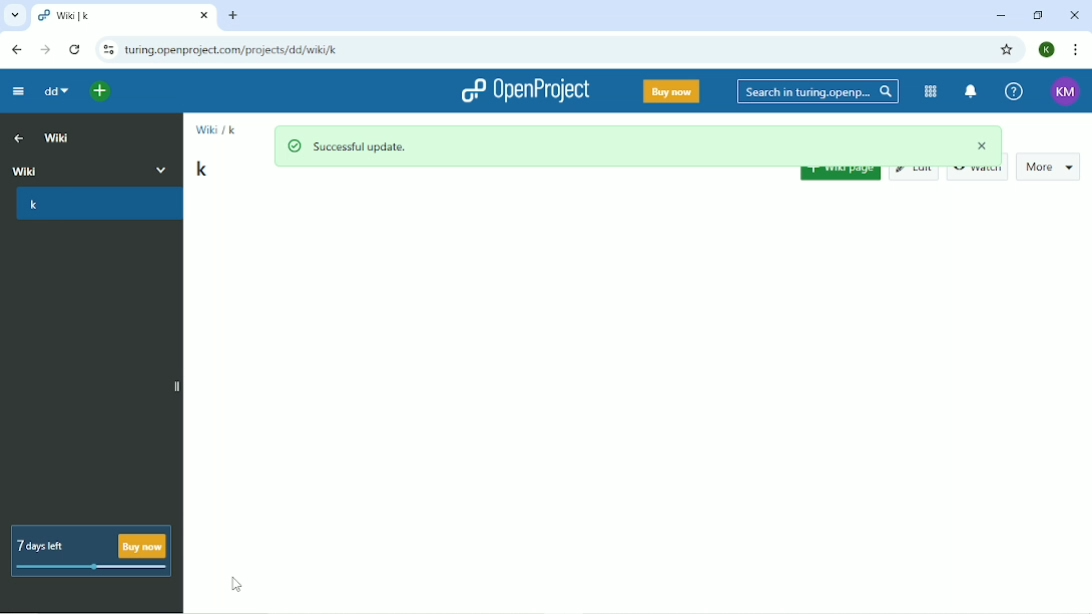 The width and height of the screenshot is (1092, 614). I want to click on Buy now, so click(671, 91).